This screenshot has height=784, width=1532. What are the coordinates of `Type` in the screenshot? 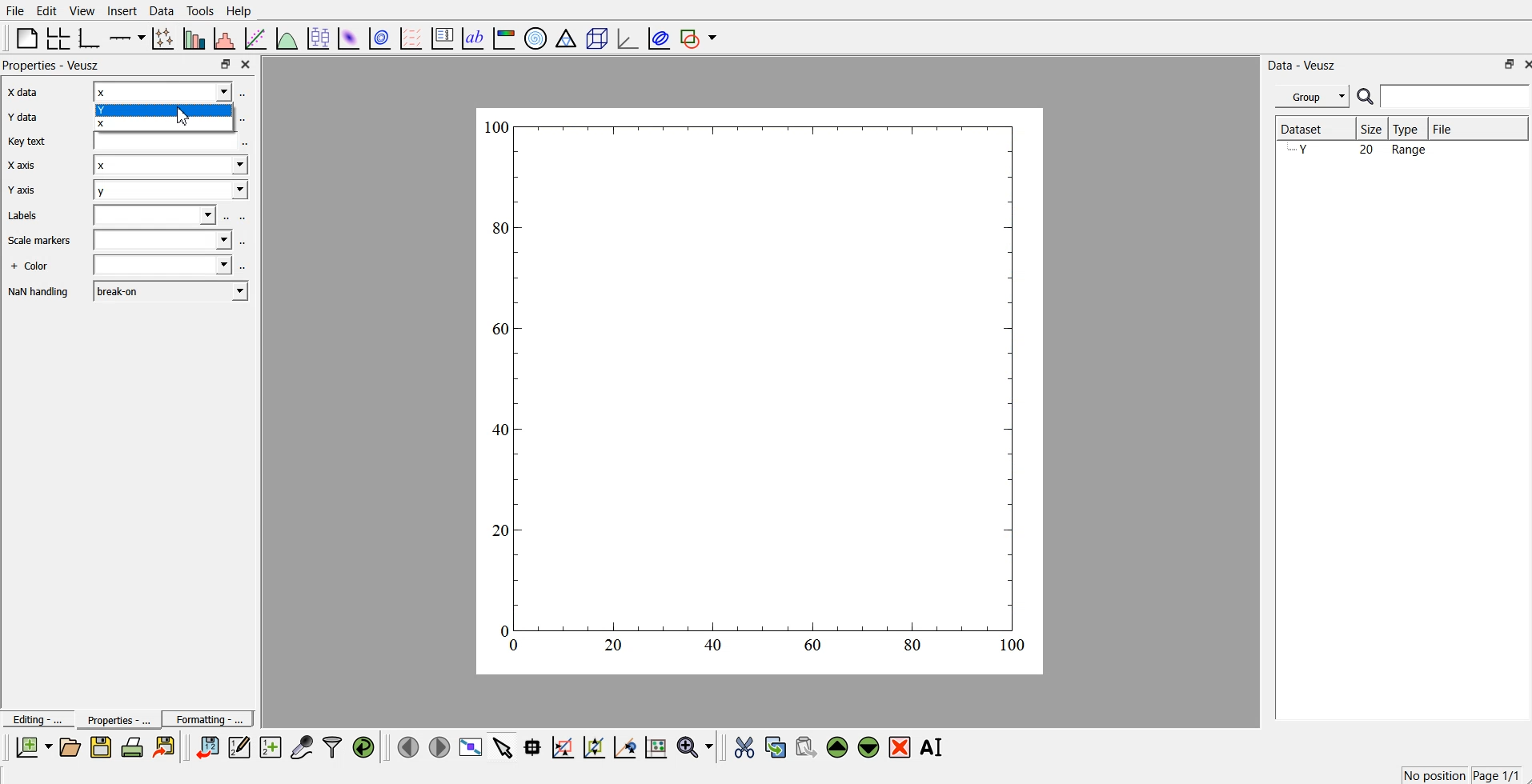 It's located at (1410, 129).